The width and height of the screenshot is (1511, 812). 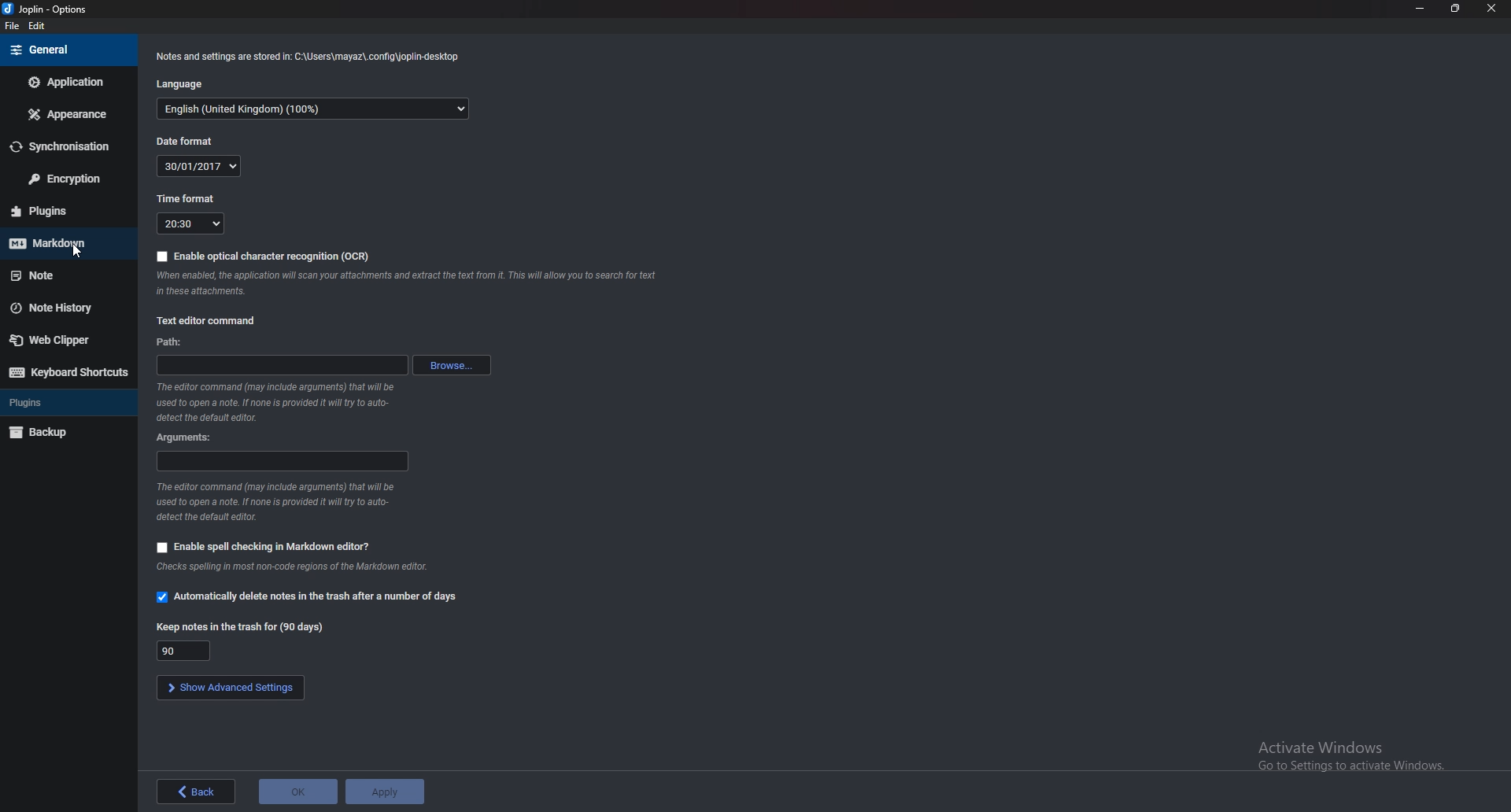 What do you see at coordinates (63, 307) in the screenshot?
I see `Note history` at bounding box center [63, 307].